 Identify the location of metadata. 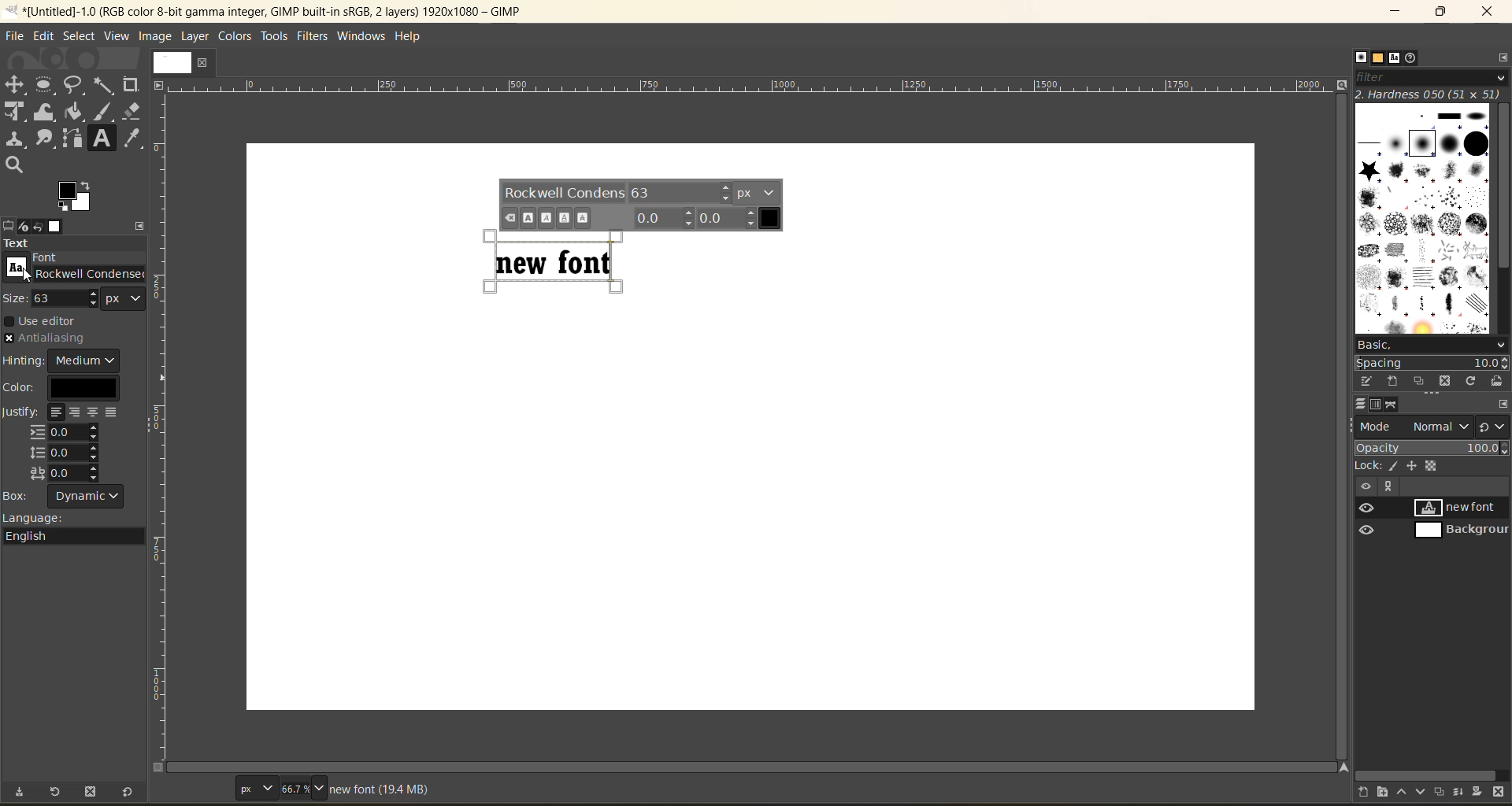
(384, 788).